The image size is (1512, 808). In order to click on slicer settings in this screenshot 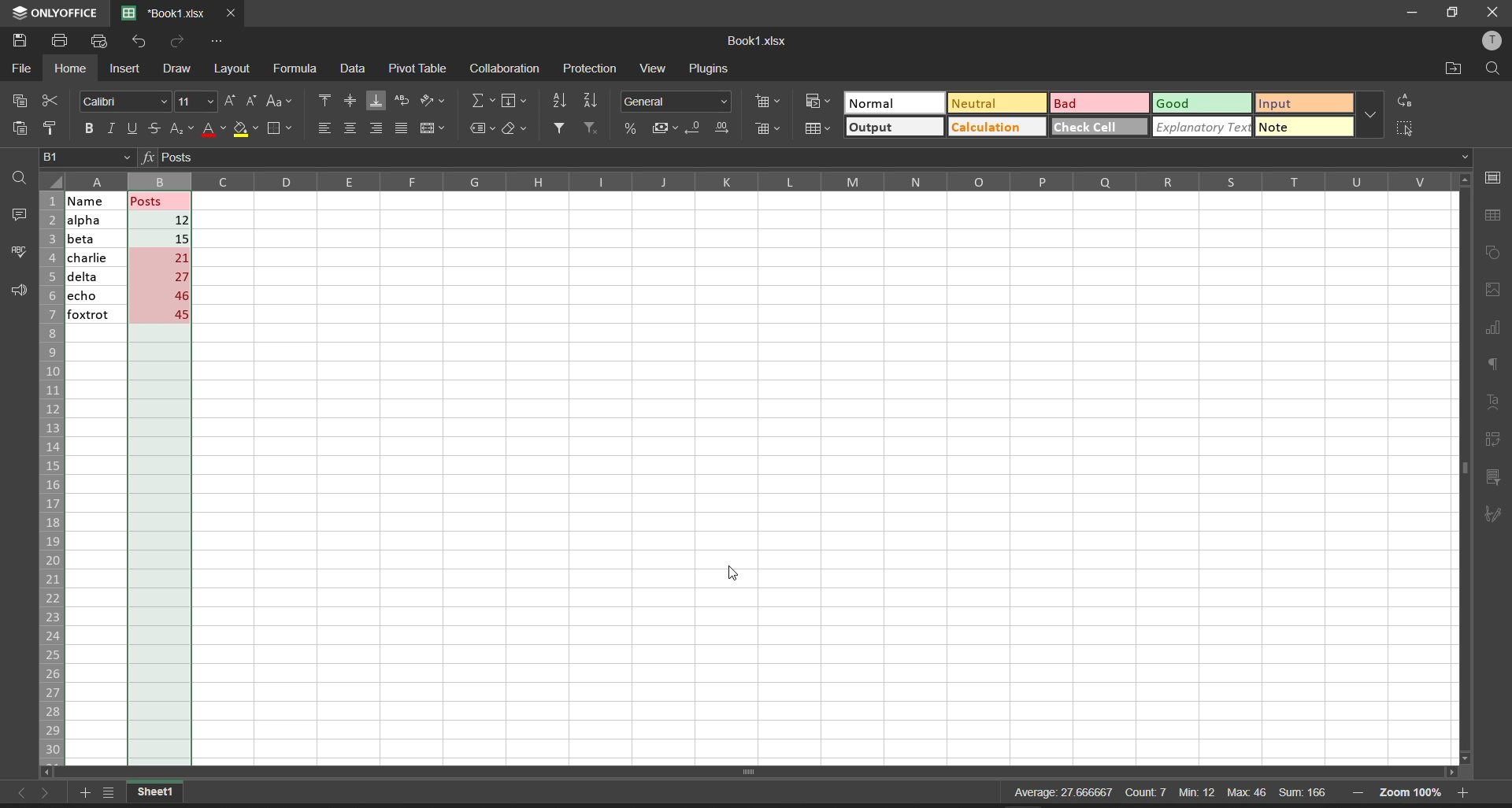, I will do `click(1496, 474)`.